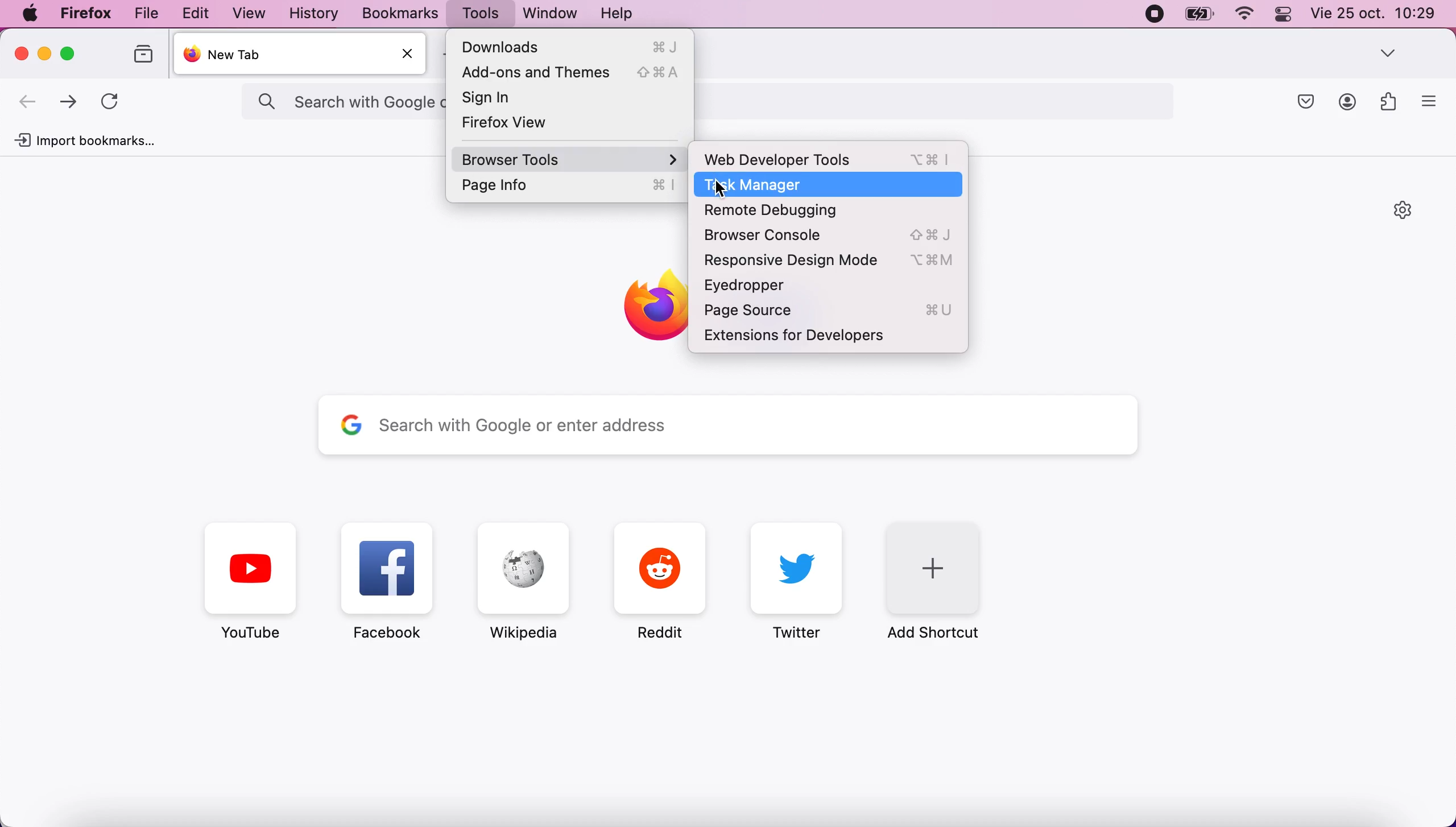 This screenshot has width=1456, height=827. Describe the element at coordinates (572, 124) in the screenshot. I see `Firefox View` at that location.